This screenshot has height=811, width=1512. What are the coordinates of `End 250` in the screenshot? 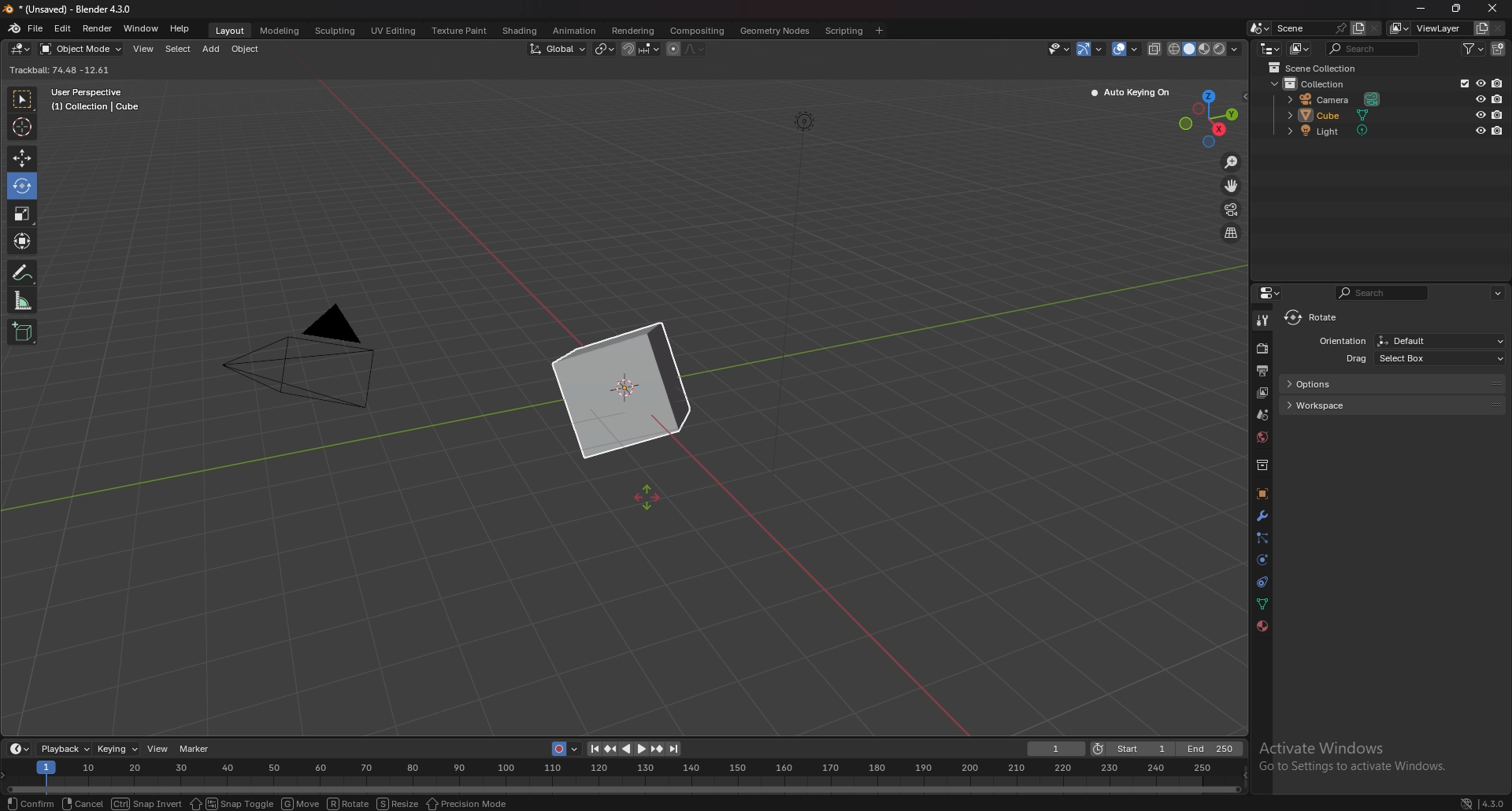 It's located at (1210, 748).